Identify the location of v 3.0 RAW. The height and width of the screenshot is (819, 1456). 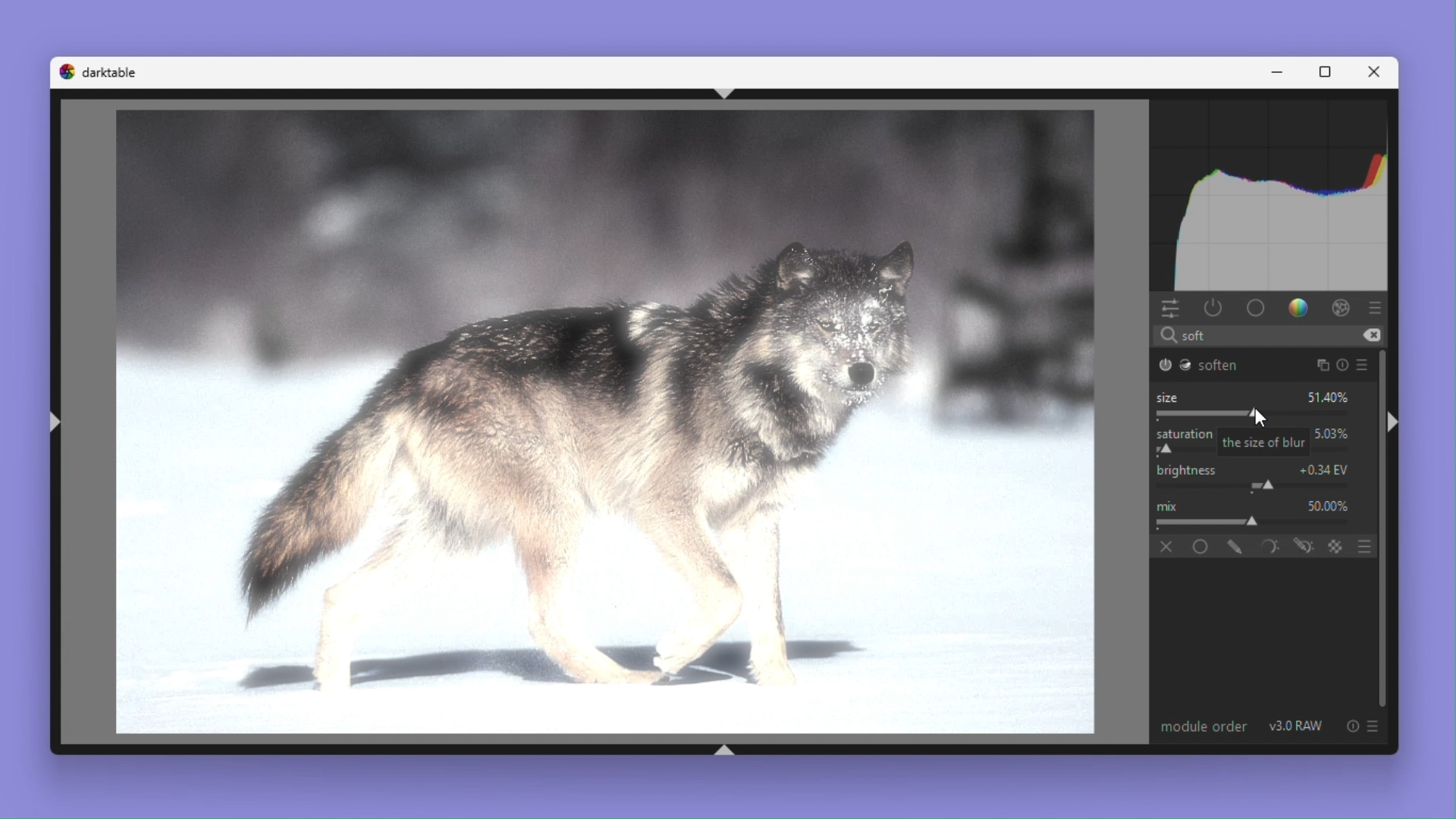
(1298, 726).